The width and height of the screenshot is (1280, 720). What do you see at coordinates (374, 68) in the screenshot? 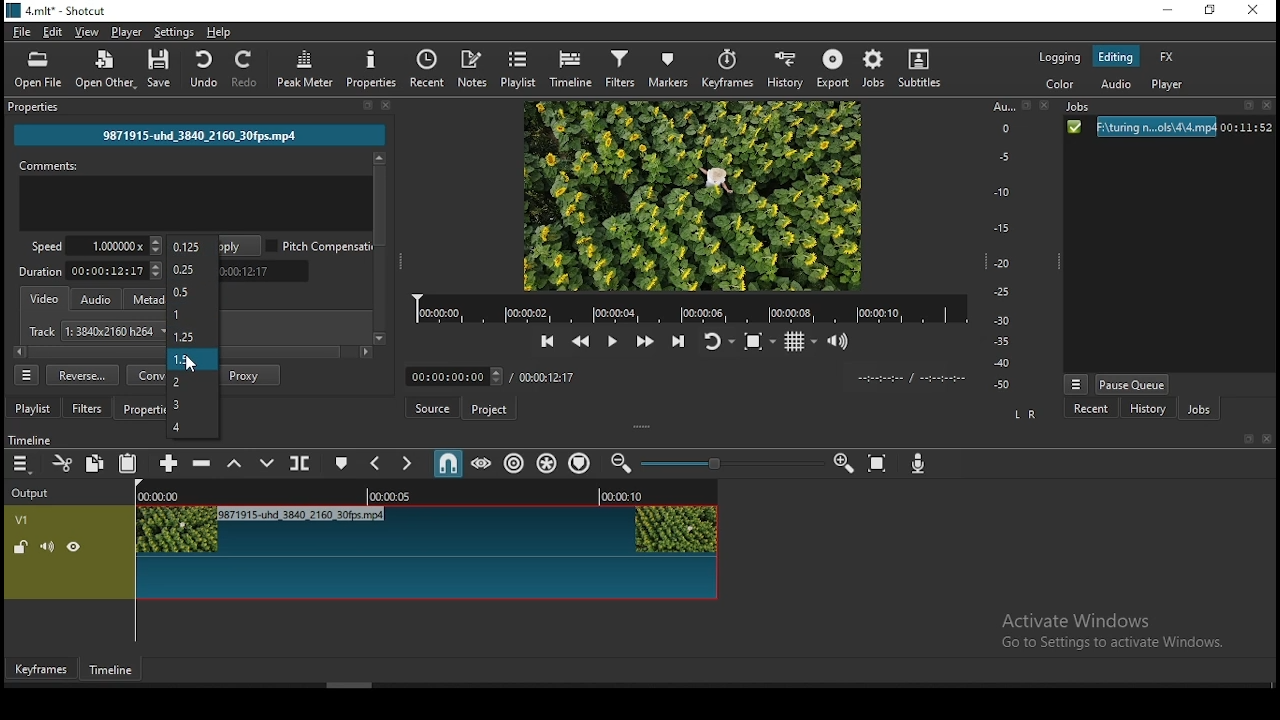
I see `properties` at bounding box center [374, 68].